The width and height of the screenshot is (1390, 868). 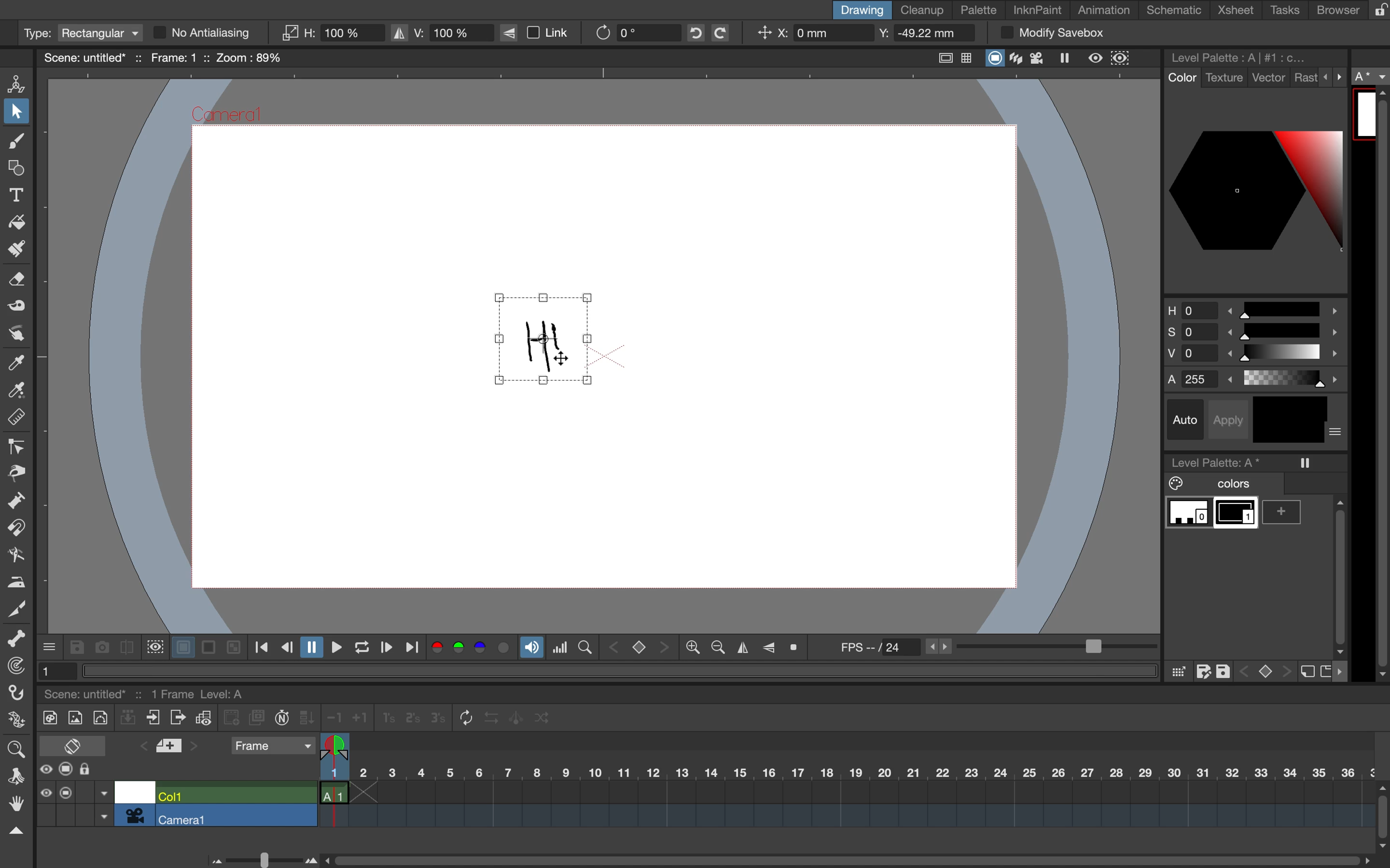 What do you see at coordinates (16, 334) in the screenshot?
I see `finger tool` at bounding box center [16, 334].